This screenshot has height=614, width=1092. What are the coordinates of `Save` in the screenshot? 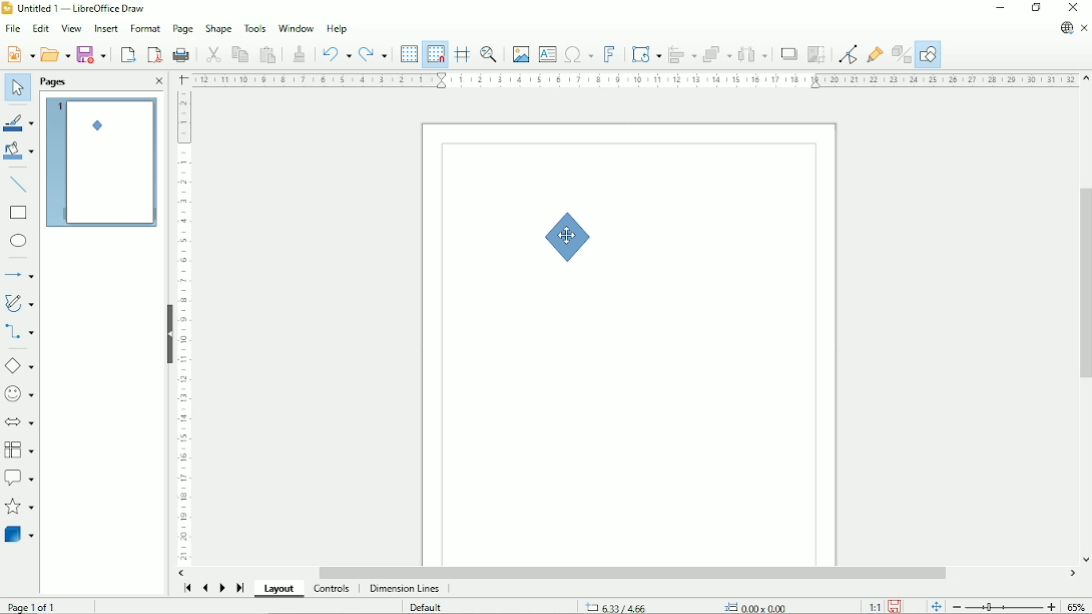 It's located at (93, 54).